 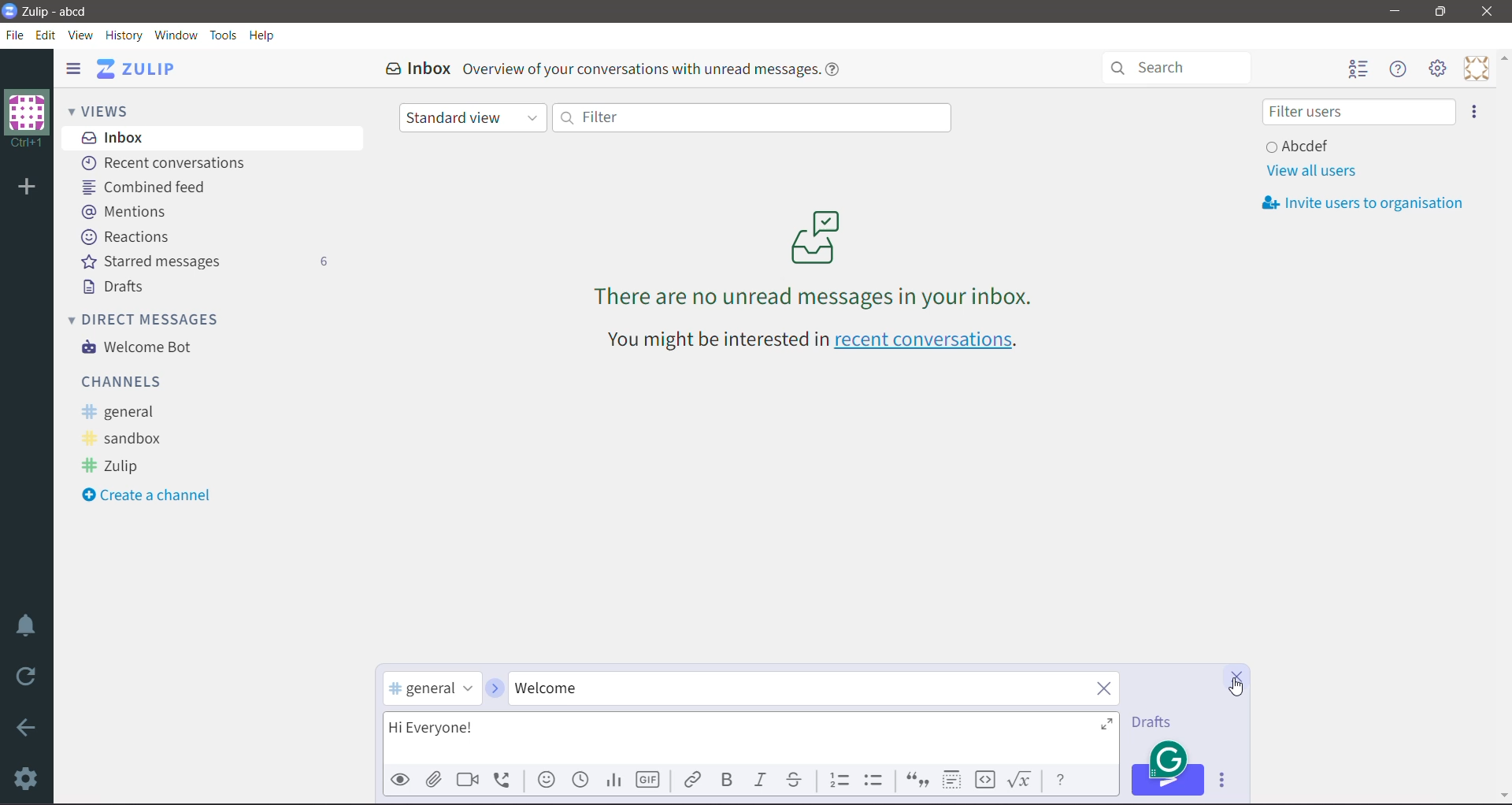 What do you see at coordinates (817, 342) in the screenshot?
I see `You might be interested in recent conversations - Click link to open recent conversations` at bounding box center [817, 342].